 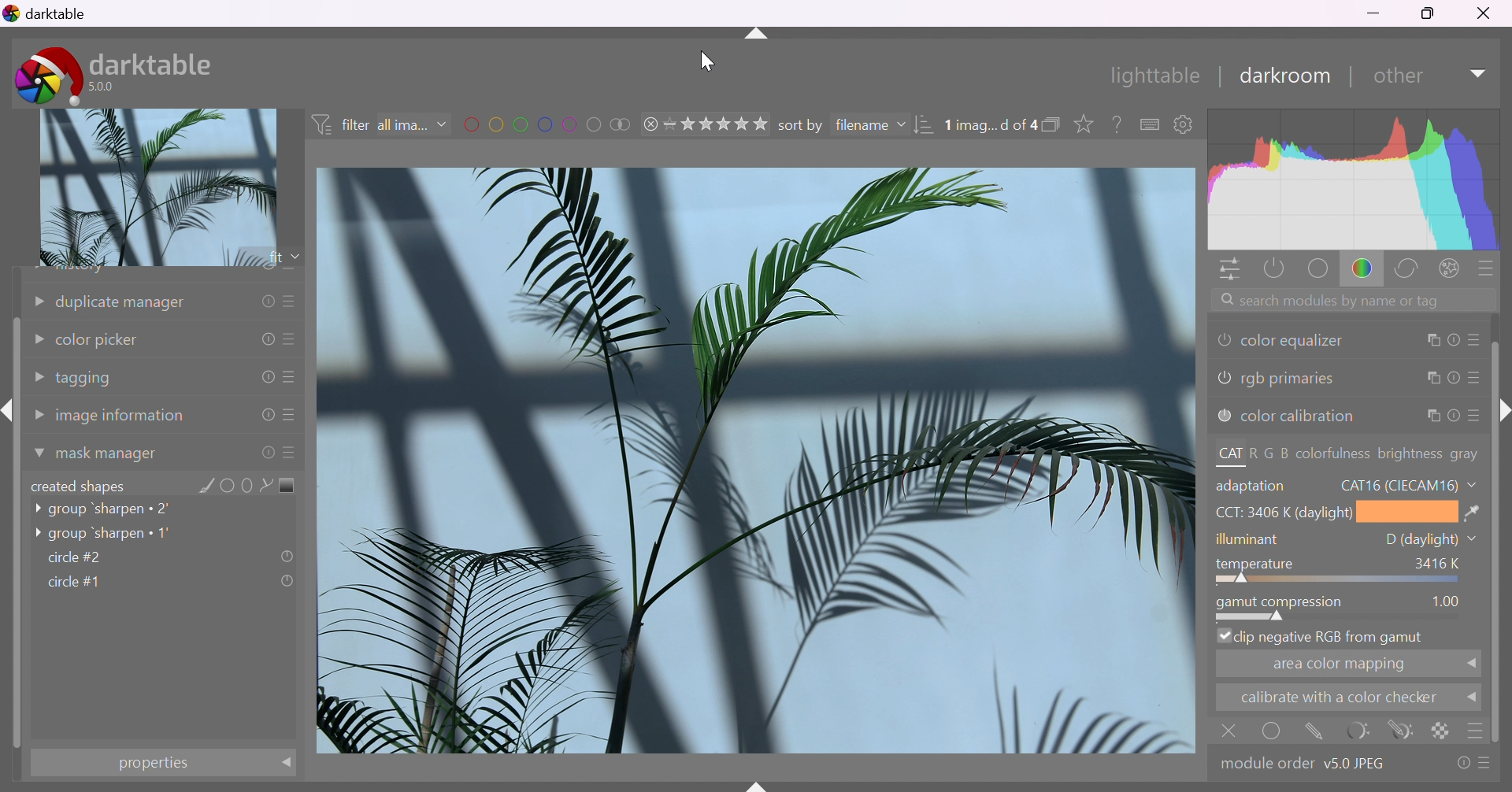 I want to click on quick access panel, so click(x=1228, y=270).